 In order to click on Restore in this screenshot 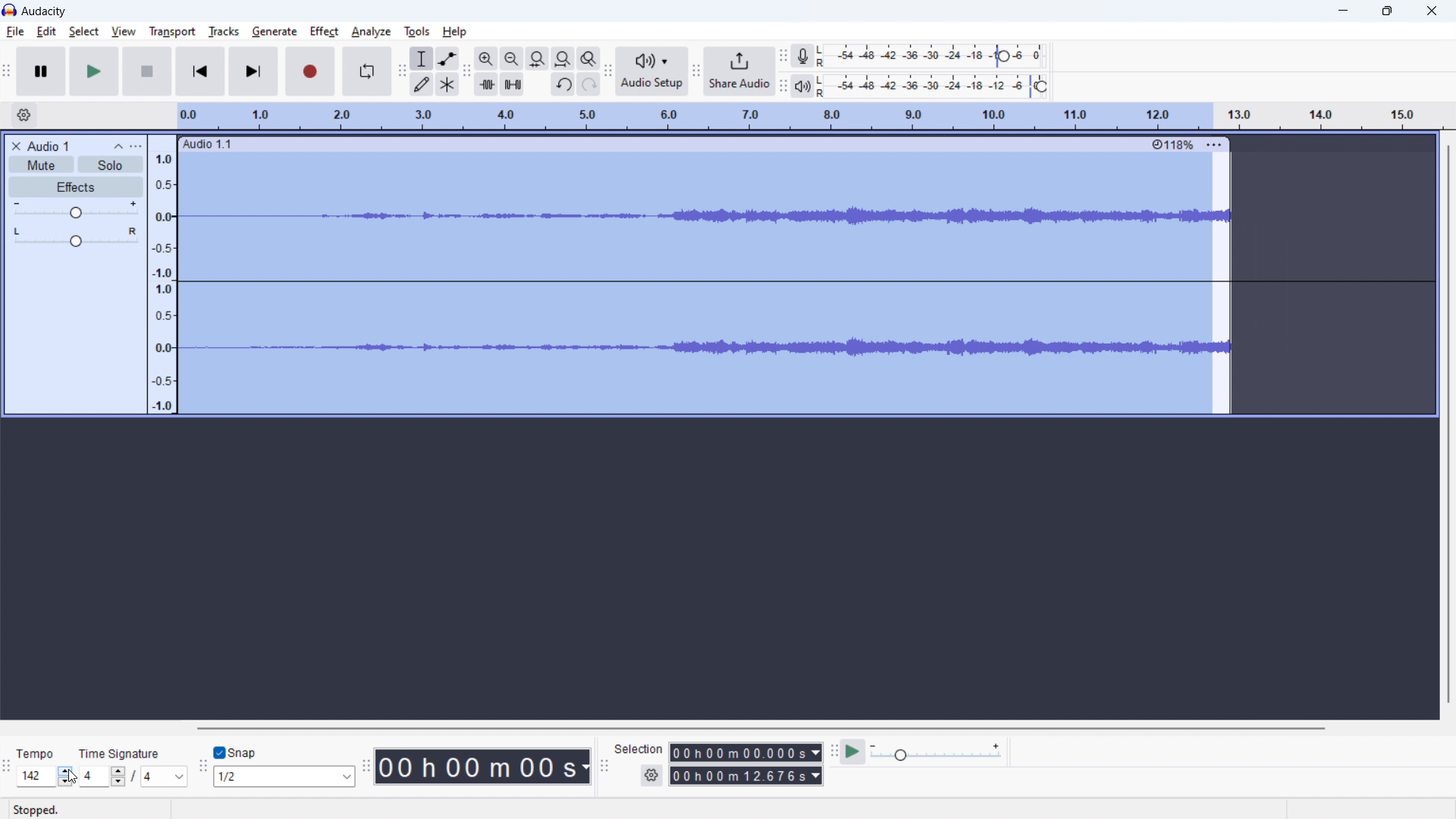, I will do `click(1387, 11)`.